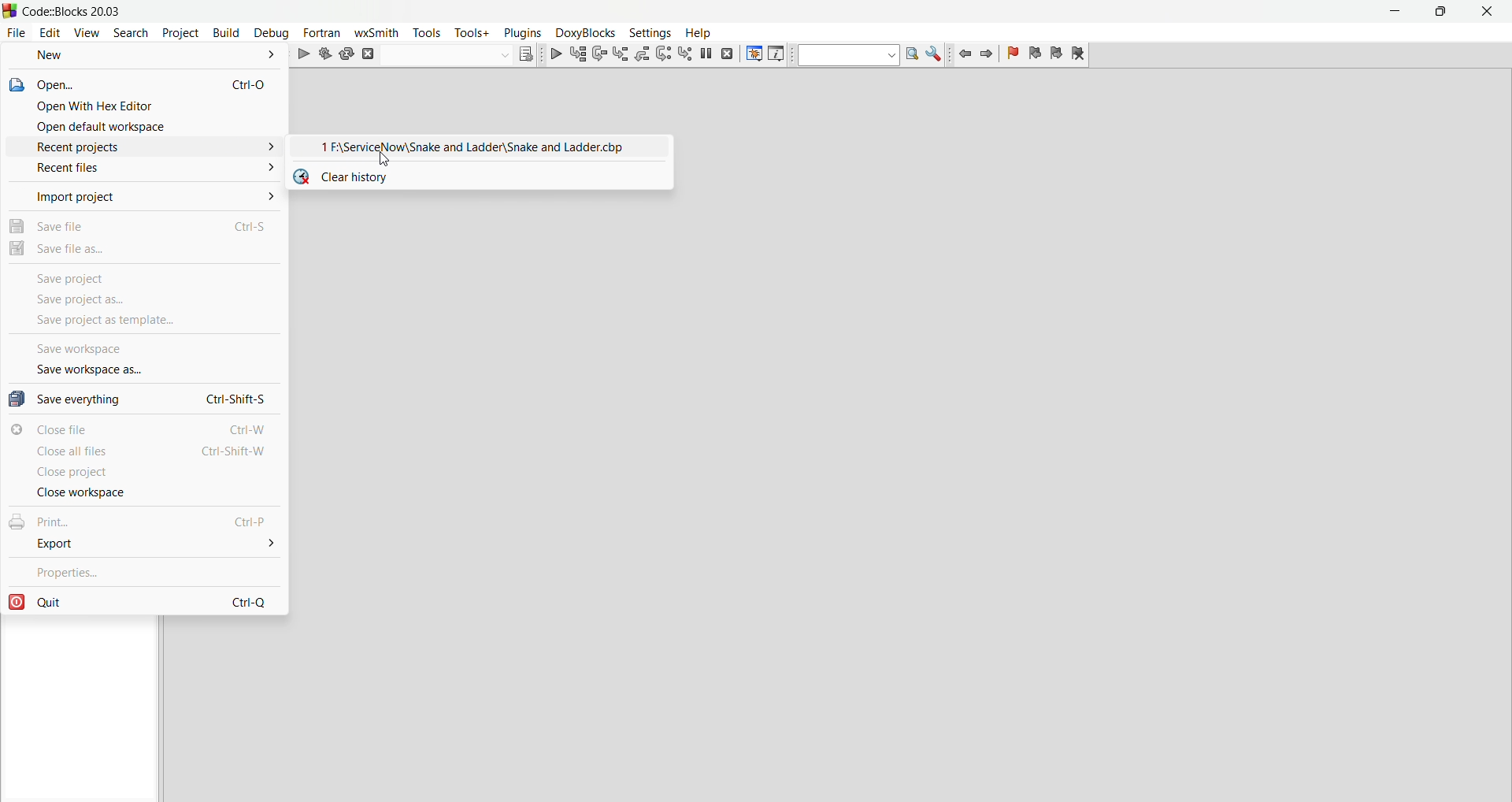 The height and width of the screenshot is (802, 1512). I want to click on fortran, so click(324, 32).